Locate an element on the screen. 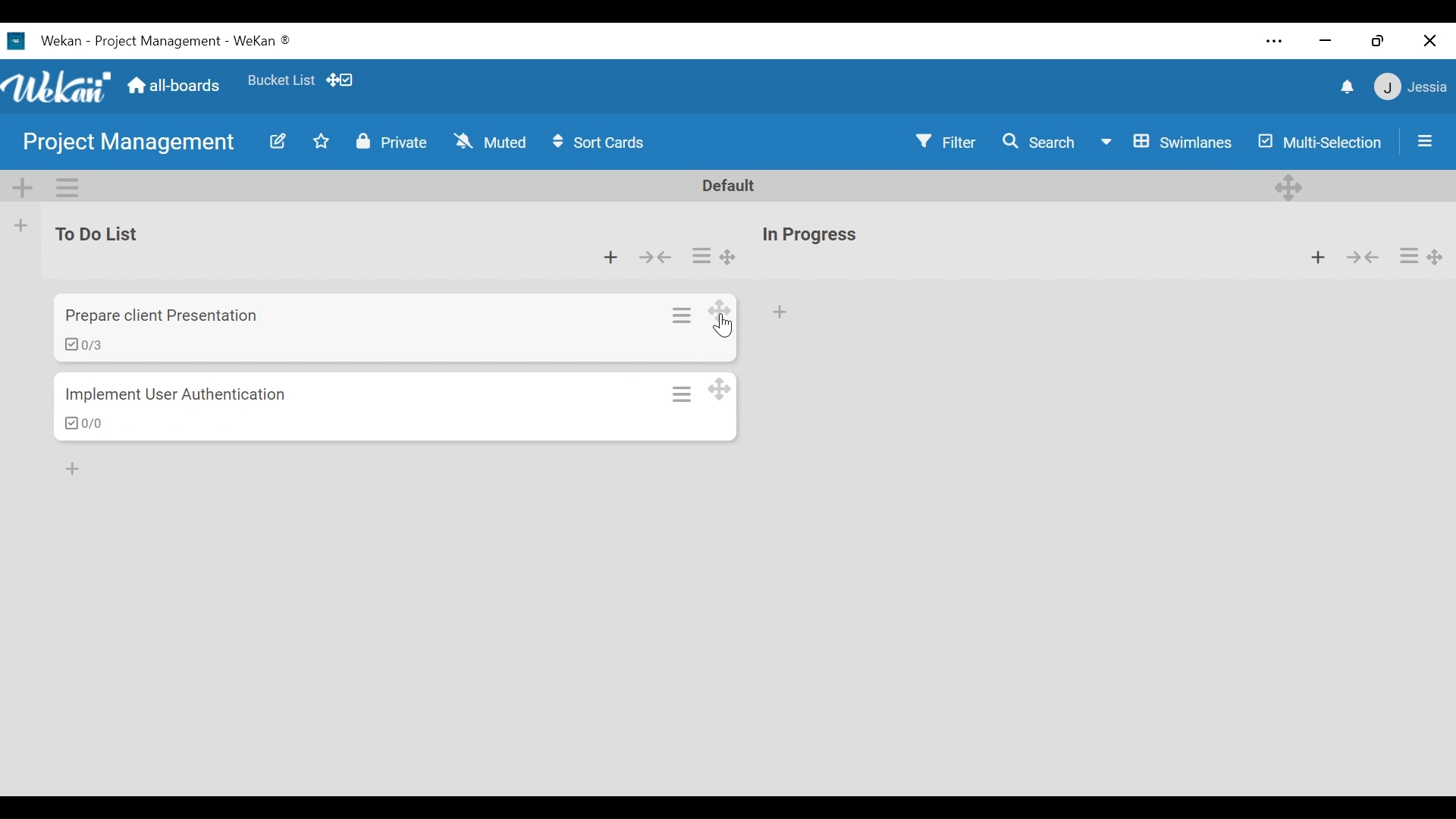 This screenshot has height=819, width=1456. Open/Close Sidebar is located at coordinates (1423, 140).